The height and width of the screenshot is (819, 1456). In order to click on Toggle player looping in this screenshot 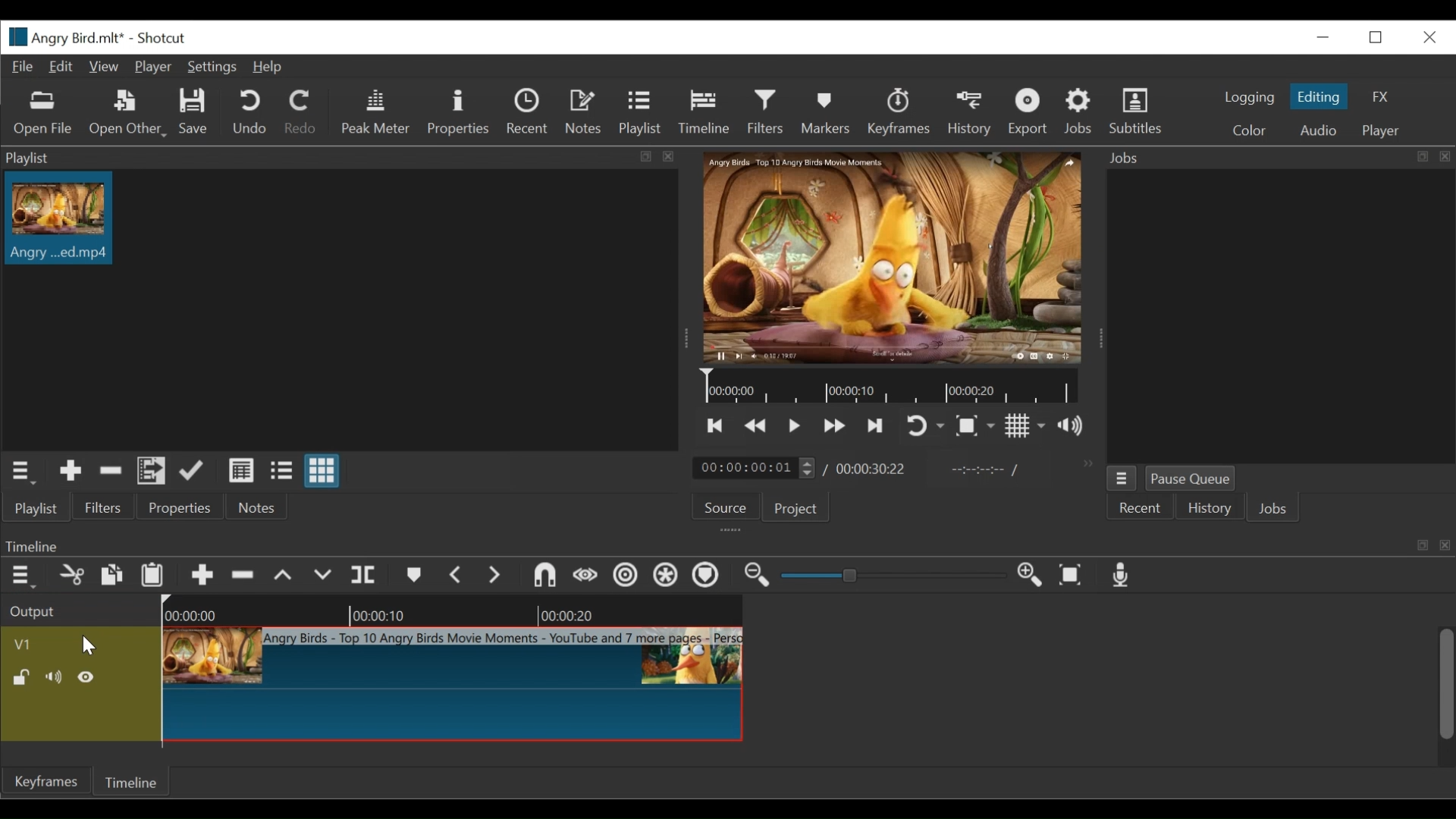, I will do `click(924, 426)`.